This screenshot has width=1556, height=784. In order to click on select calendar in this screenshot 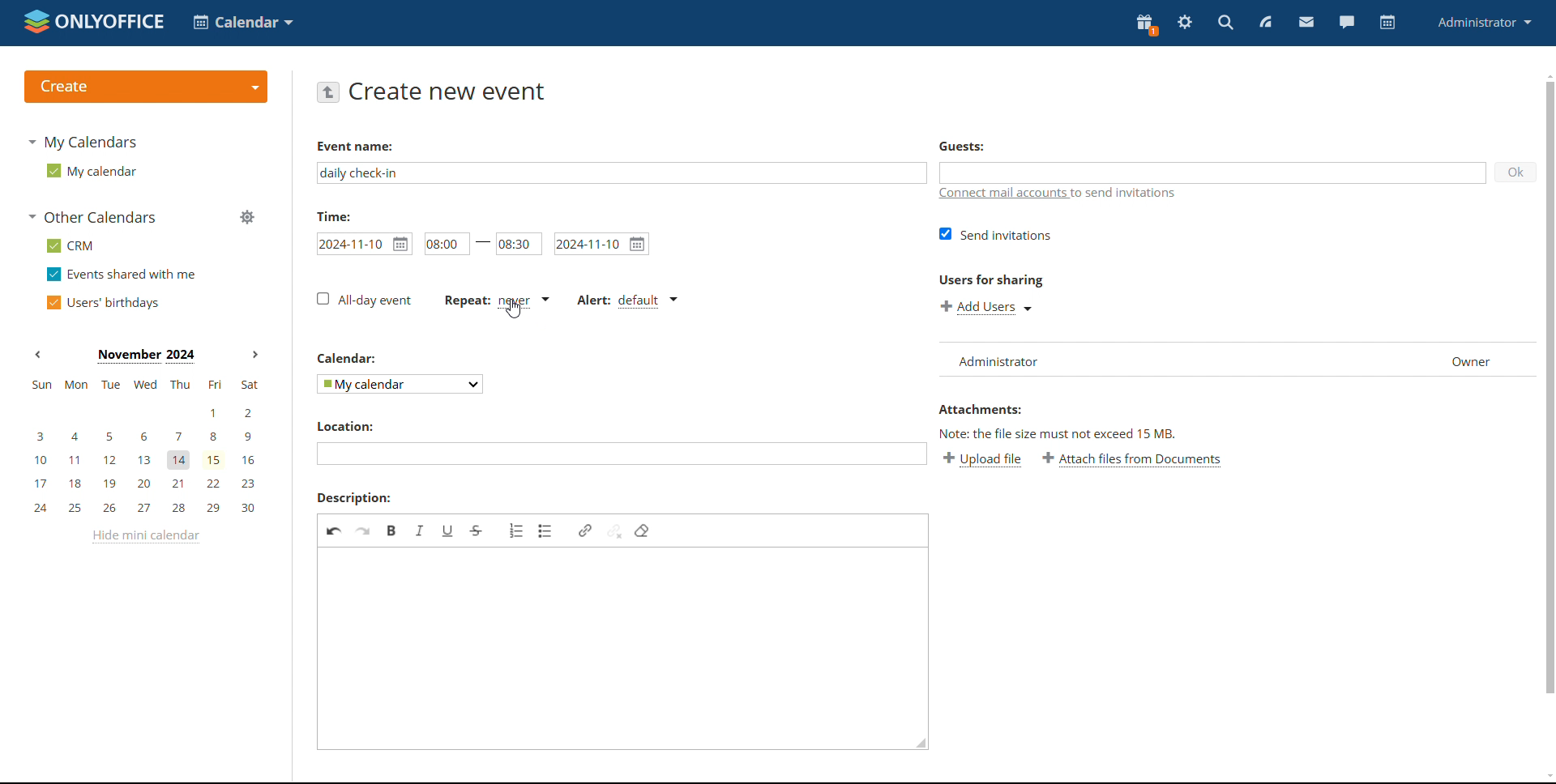, I will do `click(398, 385)`.